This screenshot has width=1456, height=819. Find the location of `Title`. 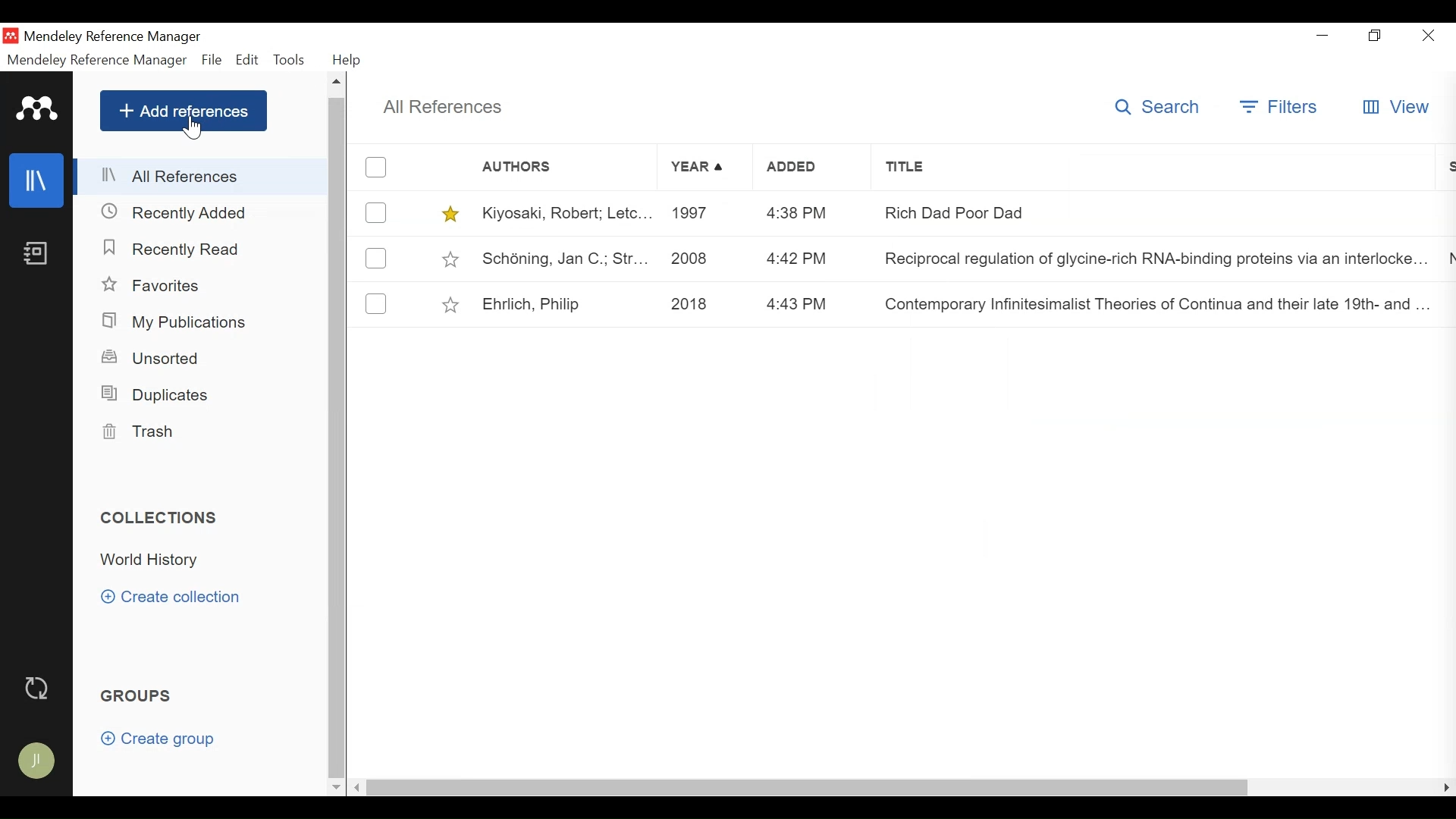

Title is located at coordinates (1149, 171).